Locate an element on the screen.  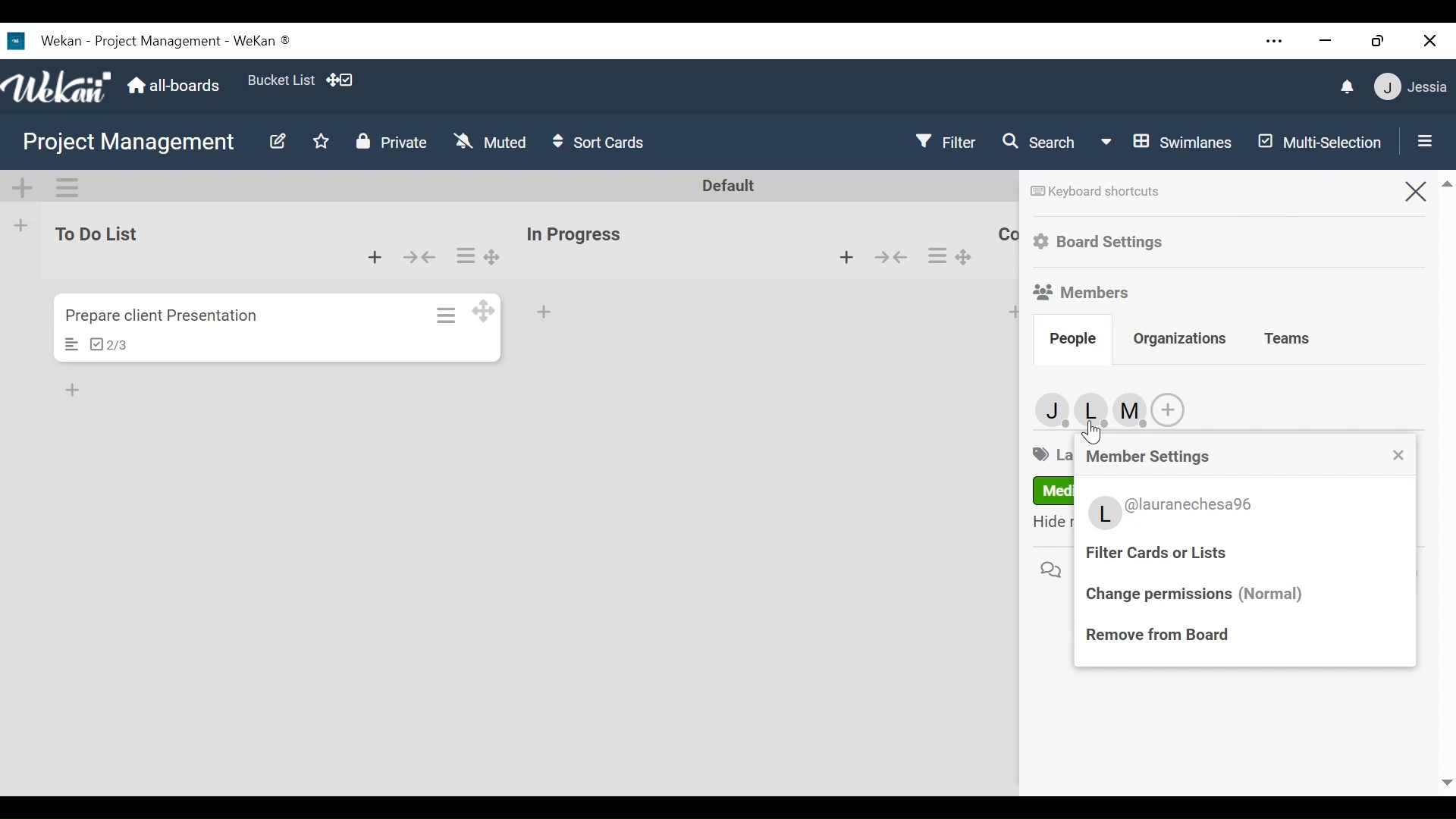
Card actions is located at coordinates (447, 315).